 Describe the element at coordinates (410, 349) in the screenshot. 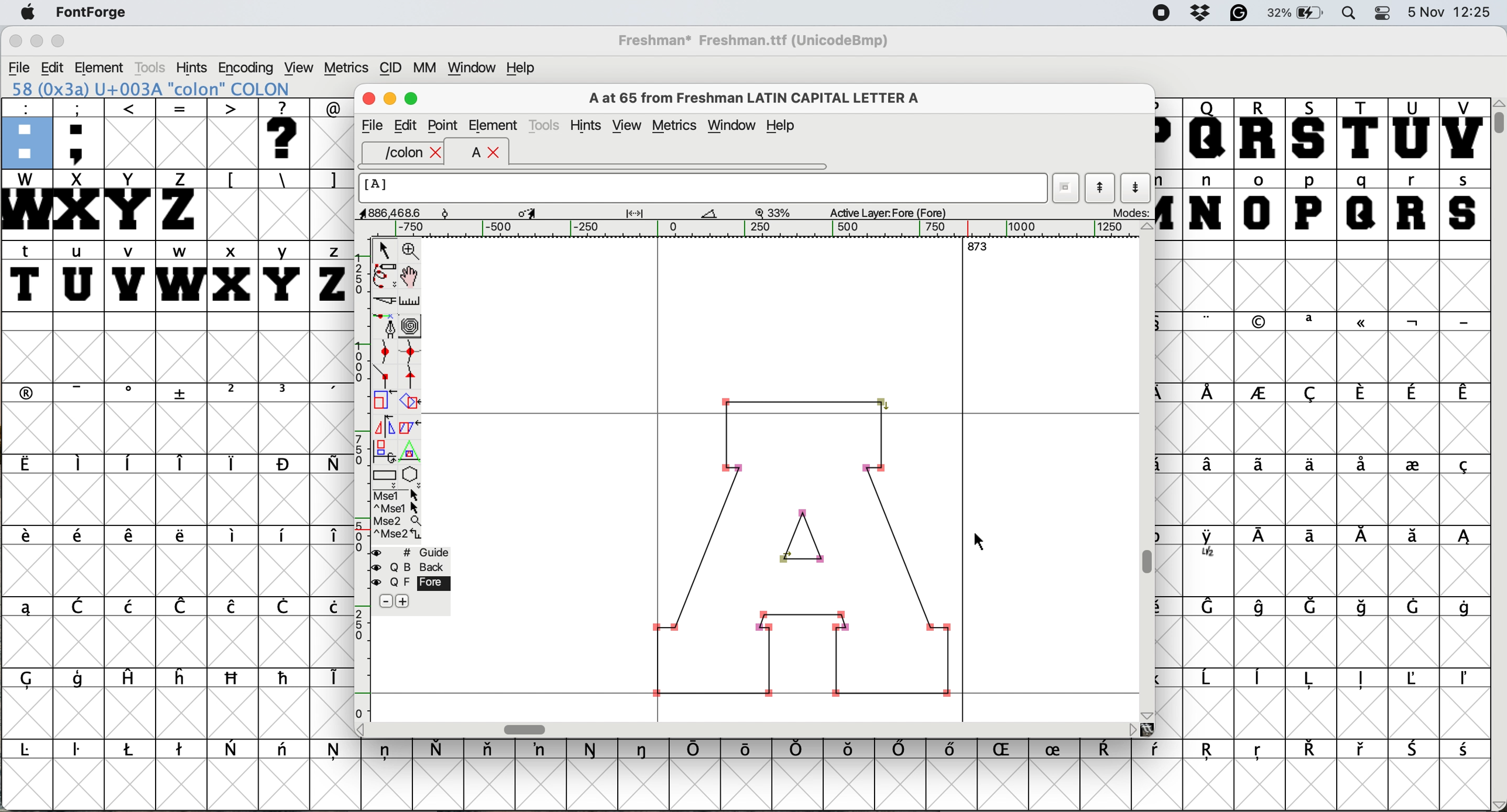

I see `add a curve point horizontal or vertical` at that location.